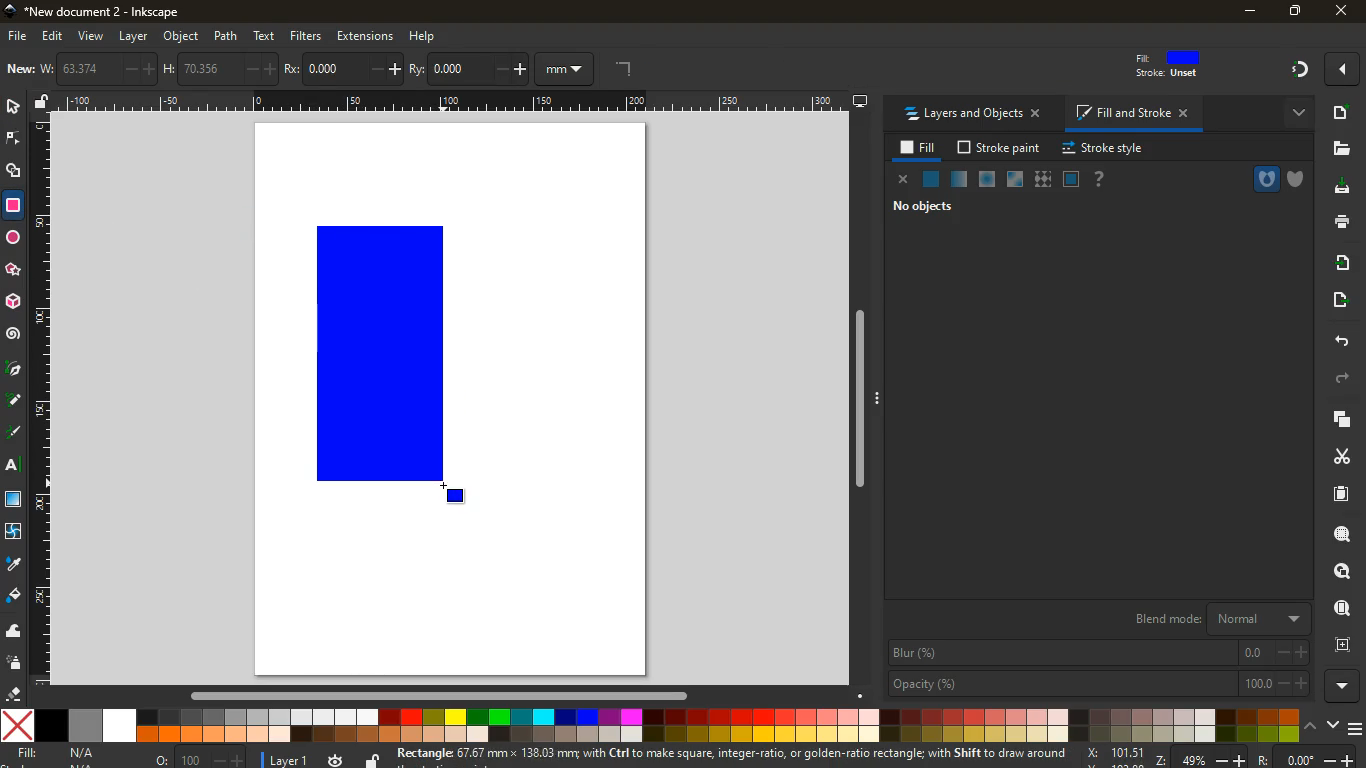 The height and width of the screenshot is (768, 1366). I want to click on , so click(436, 694).